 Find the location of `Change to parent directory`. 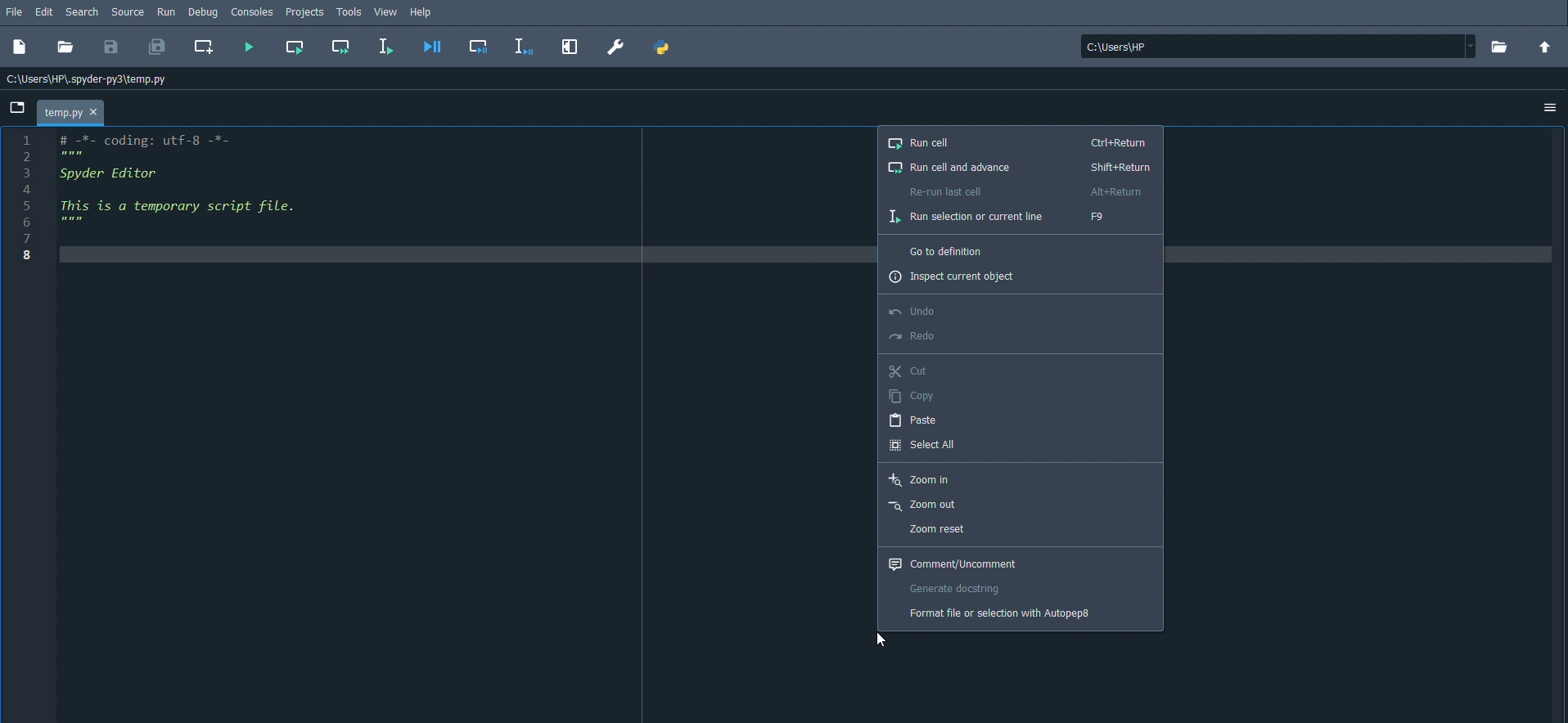

Change to parent directory is located at coordinates (1544, 47).